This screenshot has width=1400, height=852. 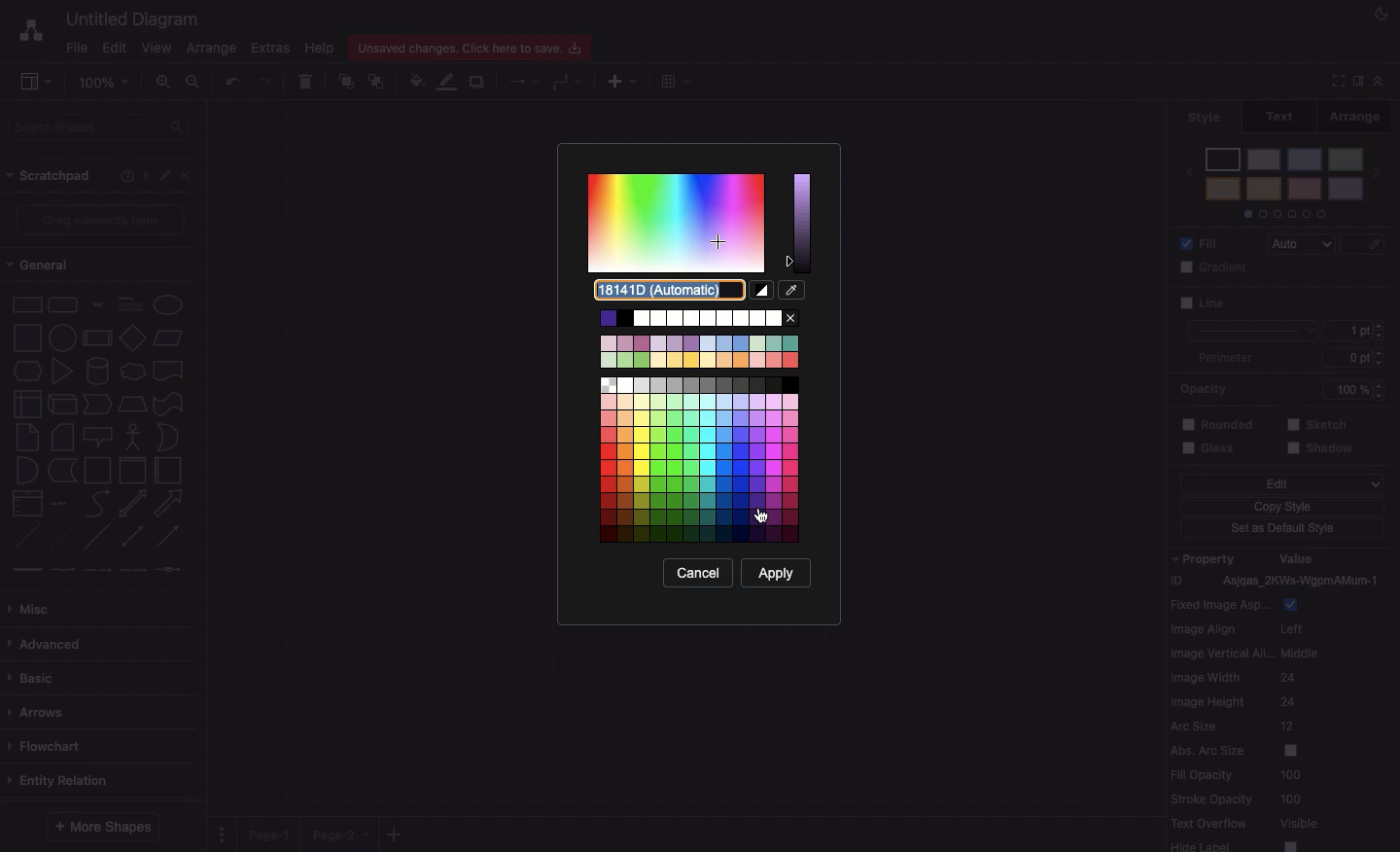 What do you see at coordinates (1281, 509) in the screenshot?
I see `Copy style` at bounding box center [1281, 509].